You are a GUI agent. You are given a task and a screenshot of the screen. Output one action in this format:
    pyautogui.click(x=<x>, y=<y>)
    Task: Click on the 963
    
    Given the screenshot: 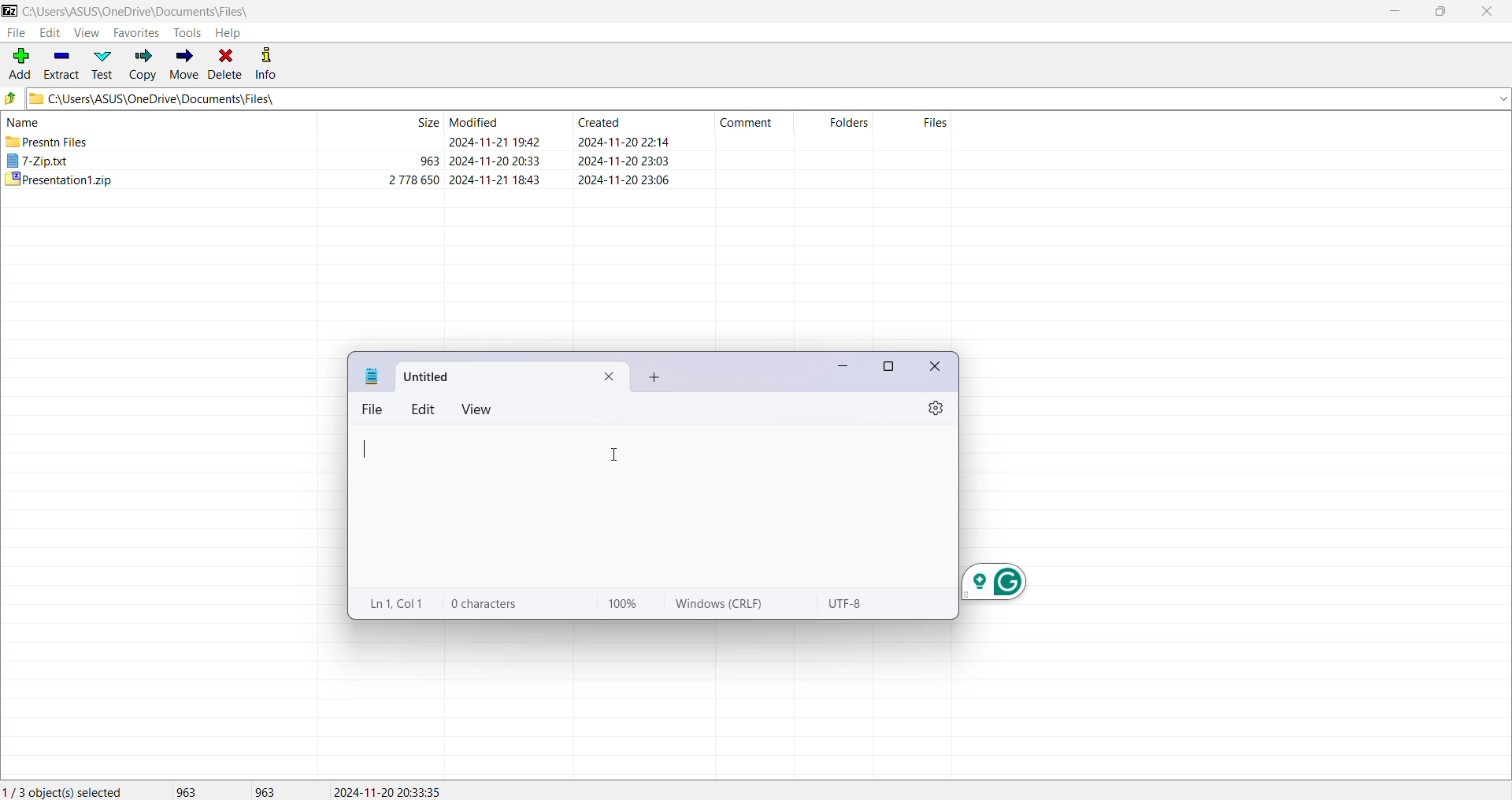 What is the action you would take?
    pyautogui.click(x=428, y=161)
    